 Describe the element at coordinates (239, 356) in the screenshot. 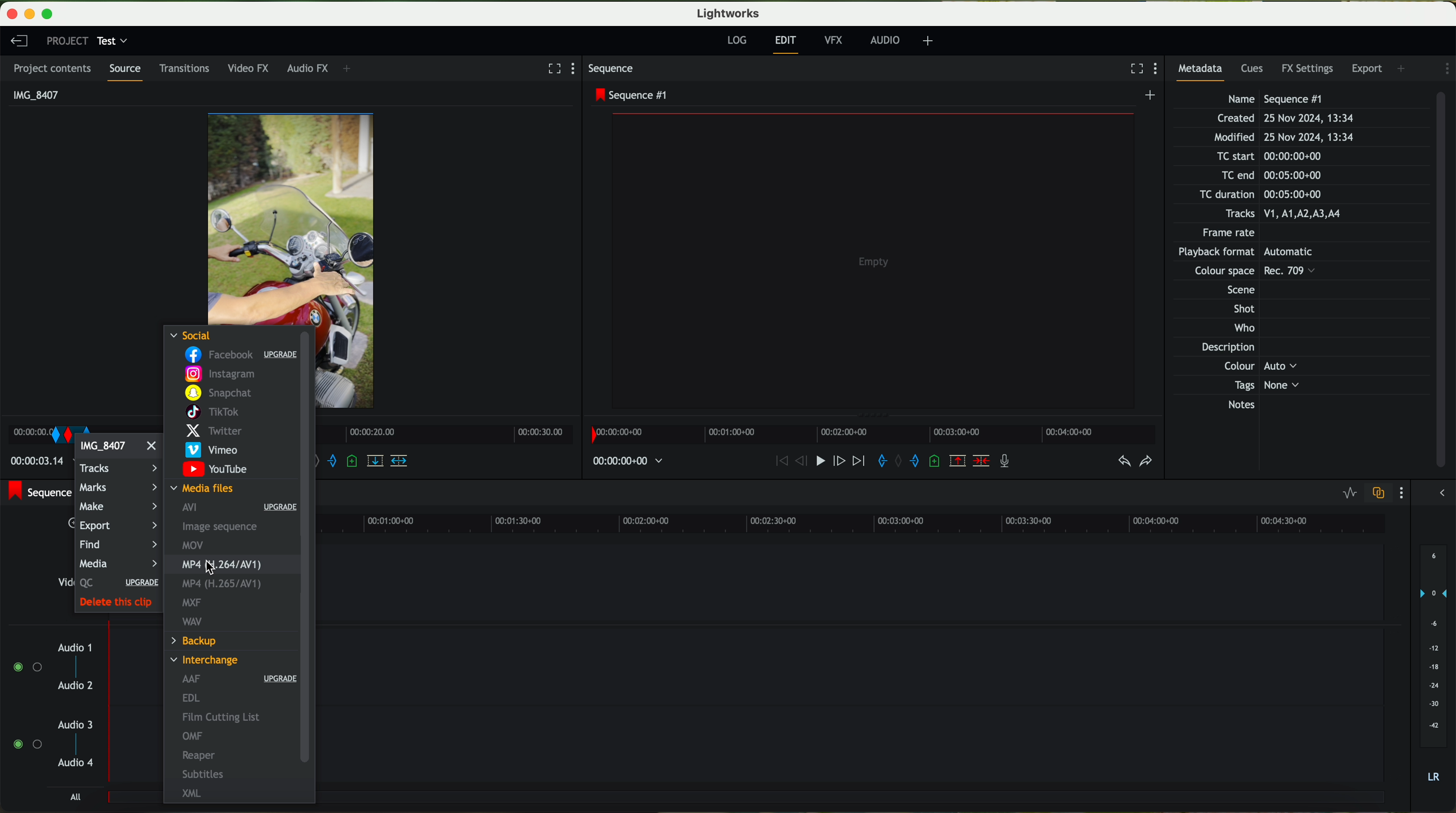

I see `Facebook` at that location.